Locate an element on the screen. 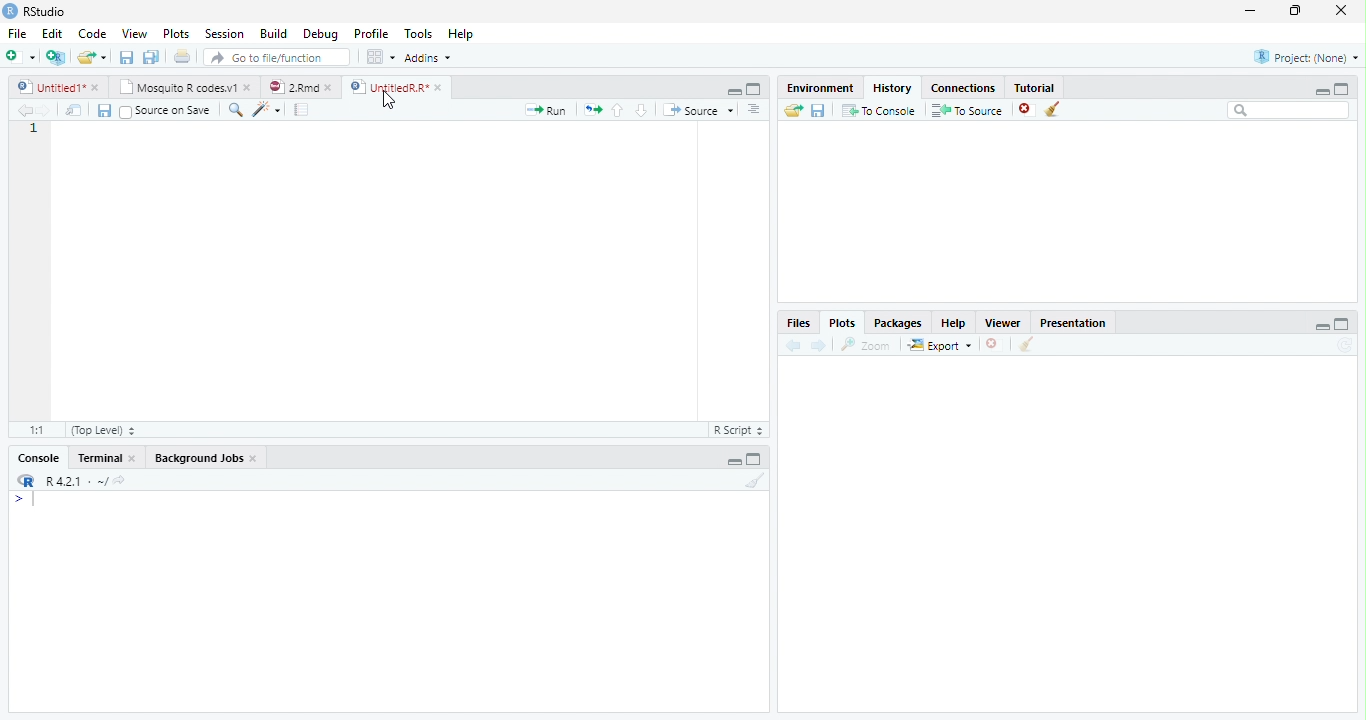  Minimize is located at coordinates (1320, 92).